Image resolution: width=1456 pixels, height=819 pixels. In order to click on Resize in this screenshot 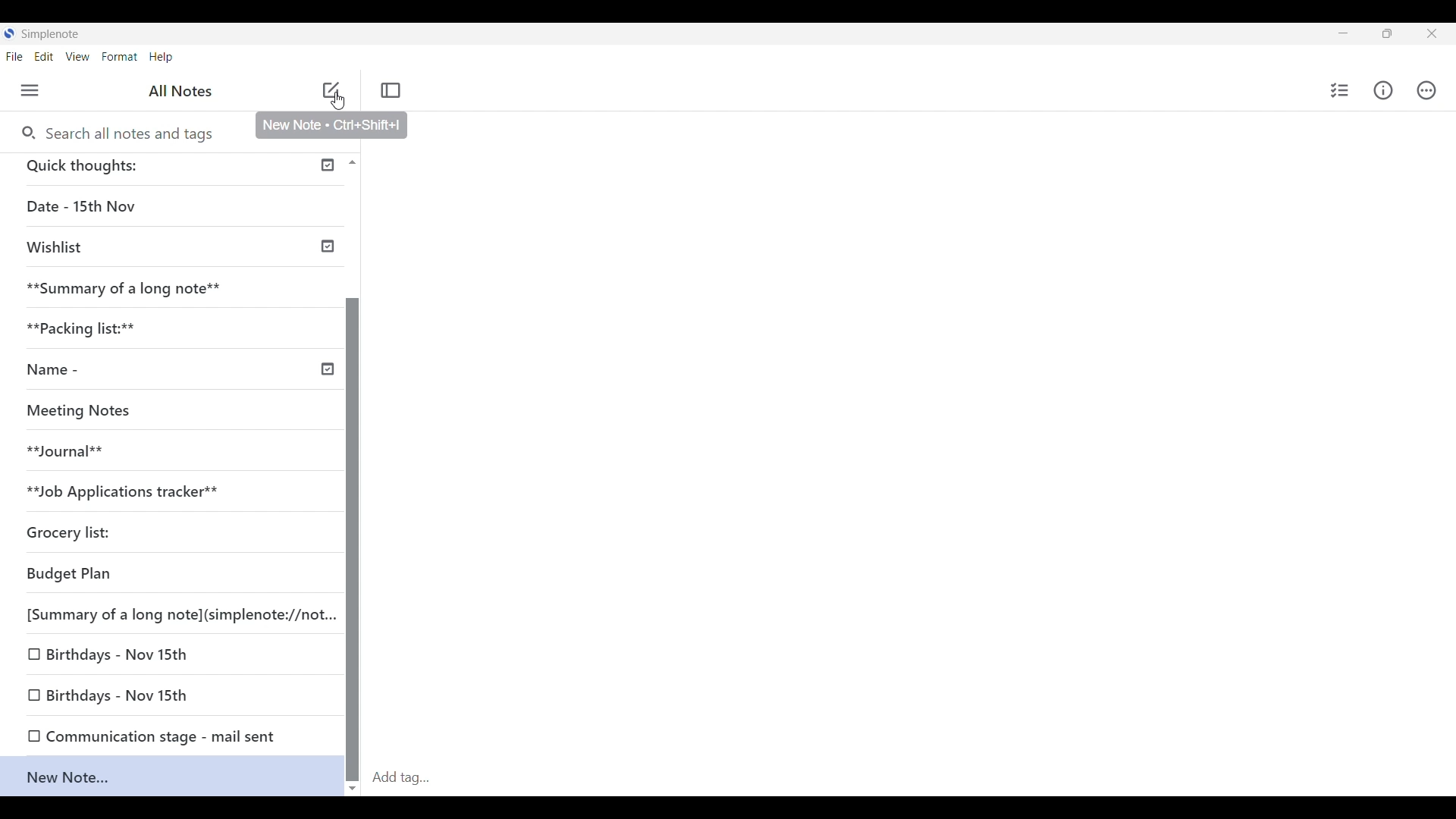, I will do `click(1382, 35)`.